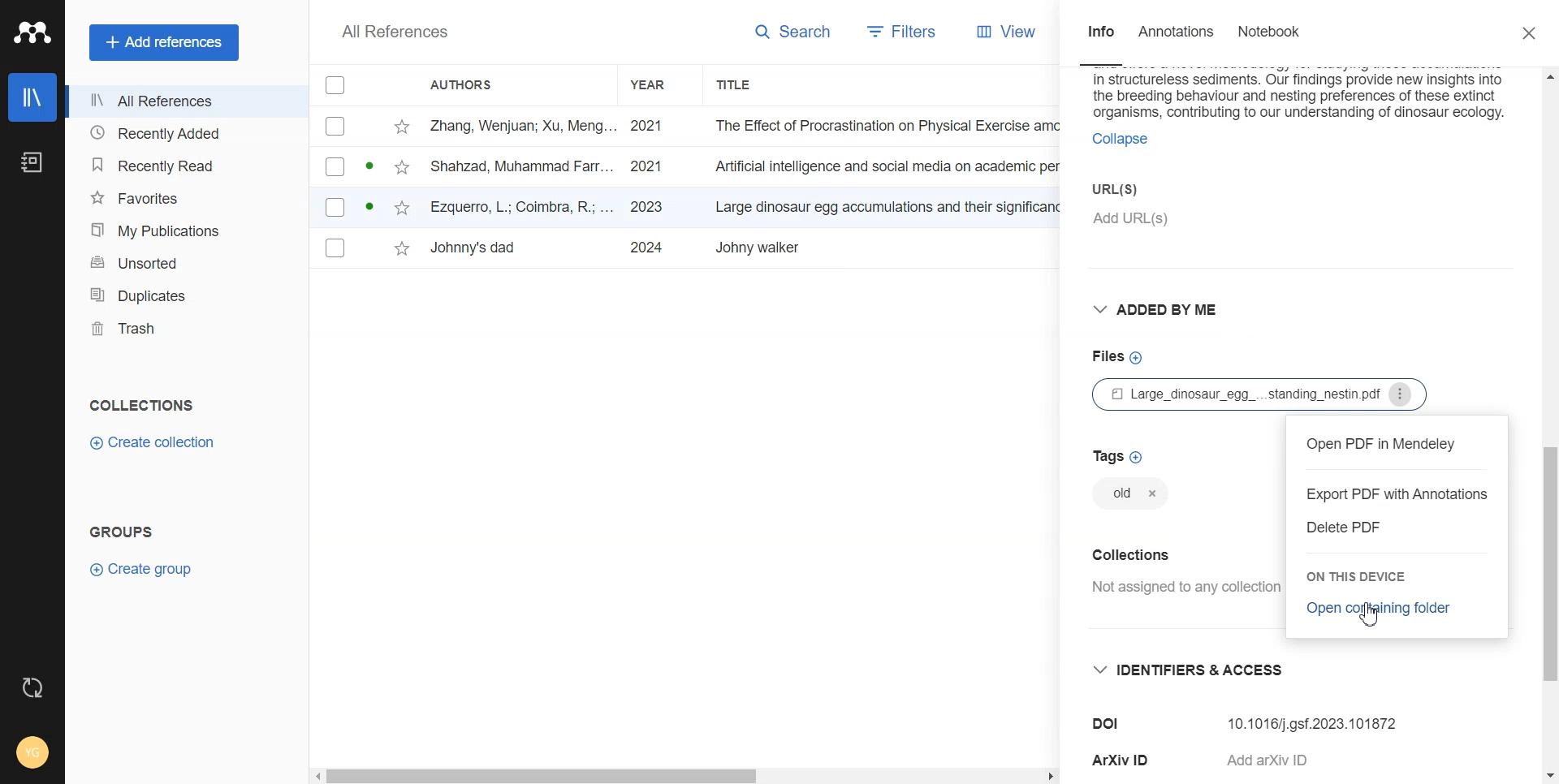  What do you see at coordinates (909, 31) in the screenshot?
I see `Filters` at bounding box center [909, 31].